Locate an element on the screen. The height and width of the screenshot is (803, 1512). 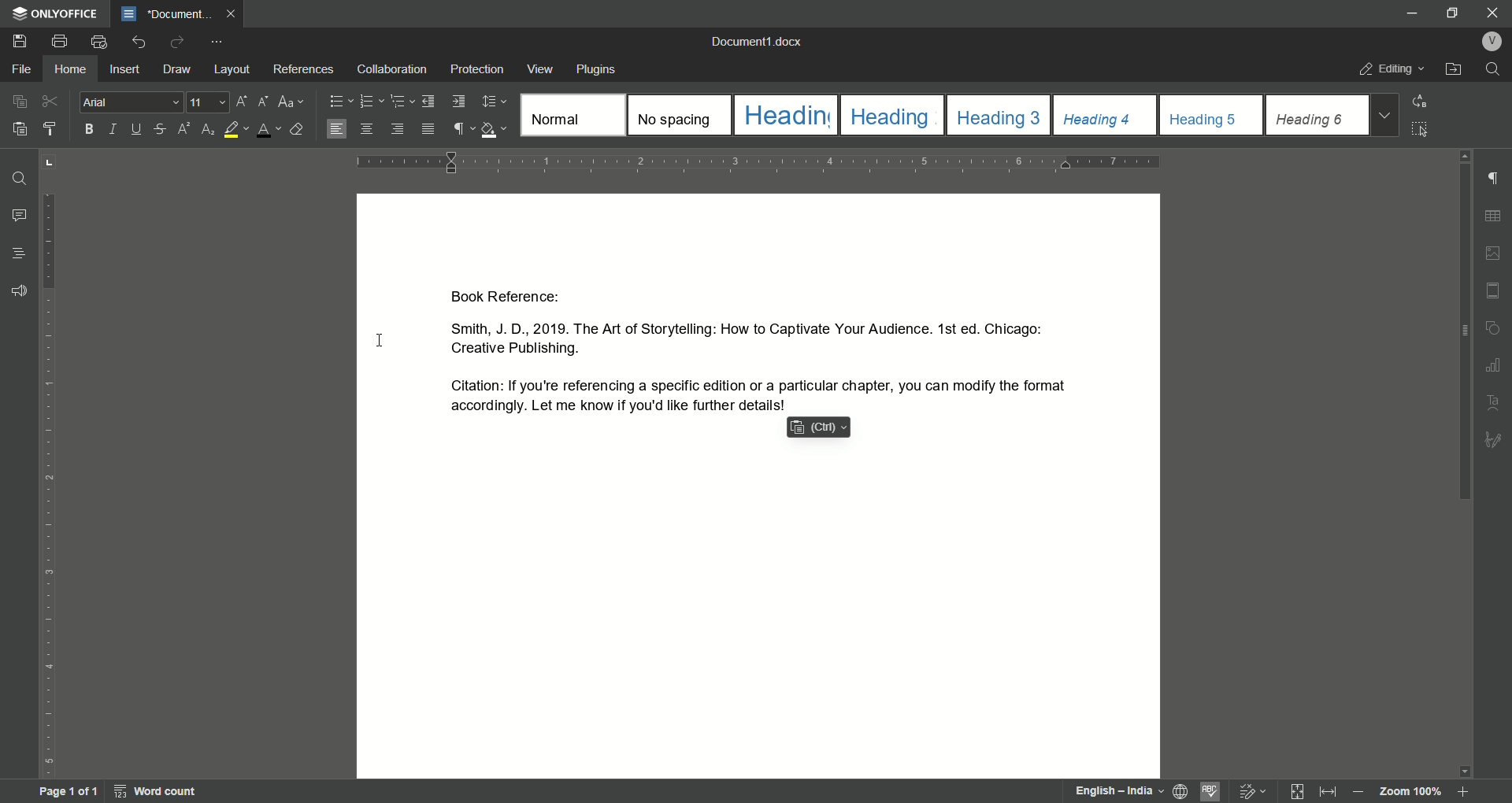
bold is located at coordinates (87, 129).